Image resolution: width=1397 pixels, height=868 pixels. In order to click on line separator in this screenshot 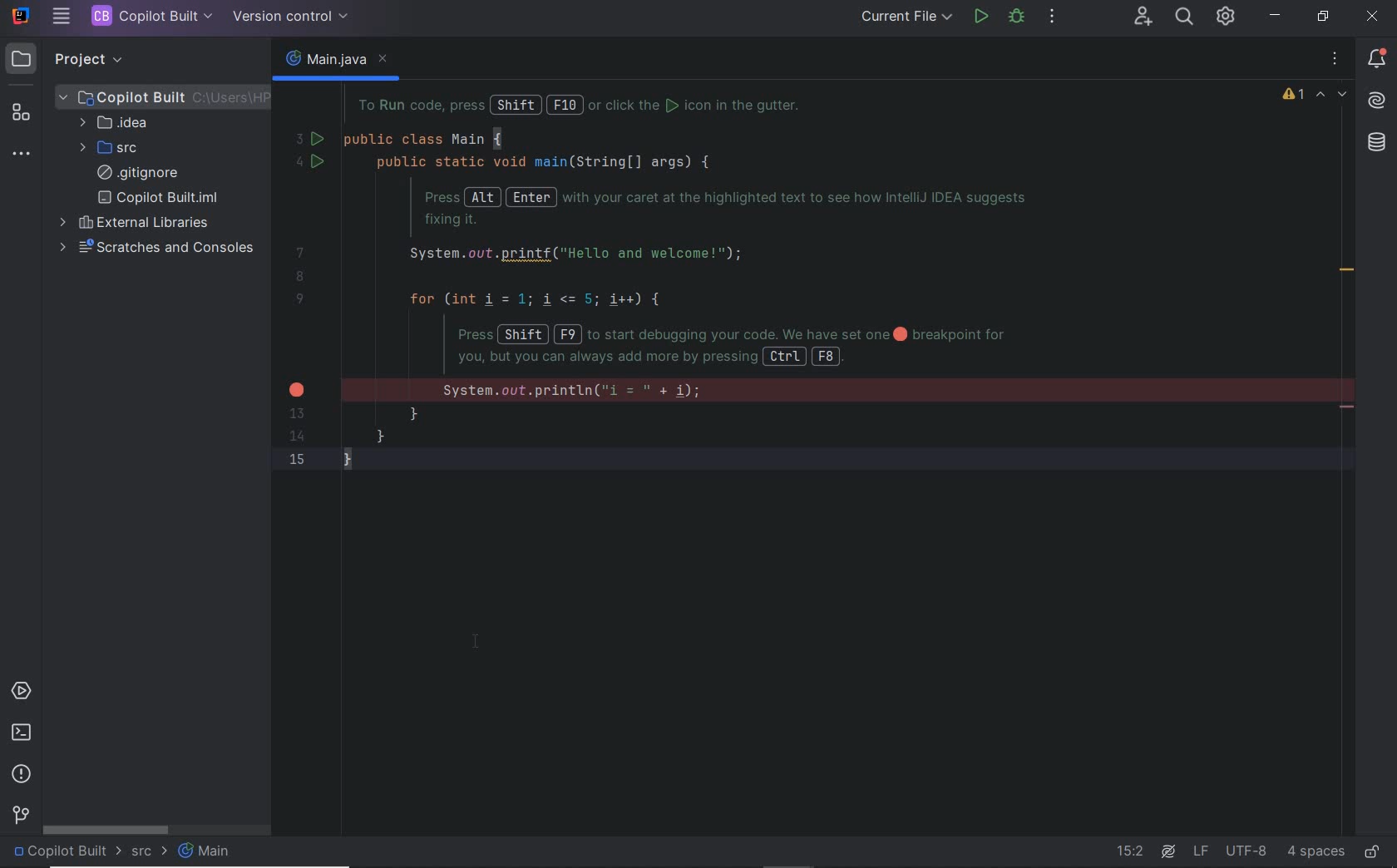, I will do `click(1203, 852)`.